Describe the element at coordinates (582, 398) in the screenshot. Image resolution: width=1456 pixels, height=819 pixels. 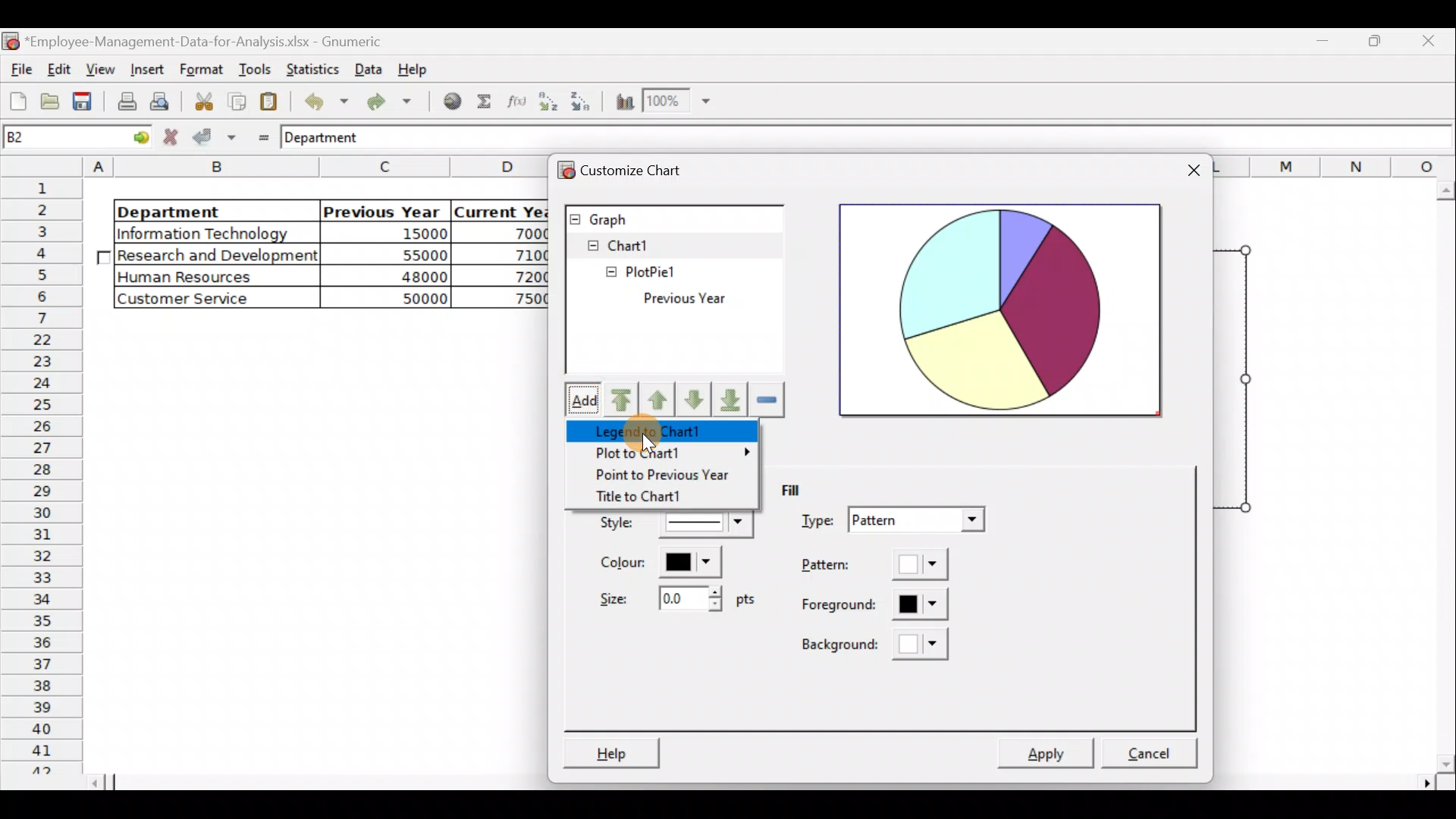
I see `Add` at that location.